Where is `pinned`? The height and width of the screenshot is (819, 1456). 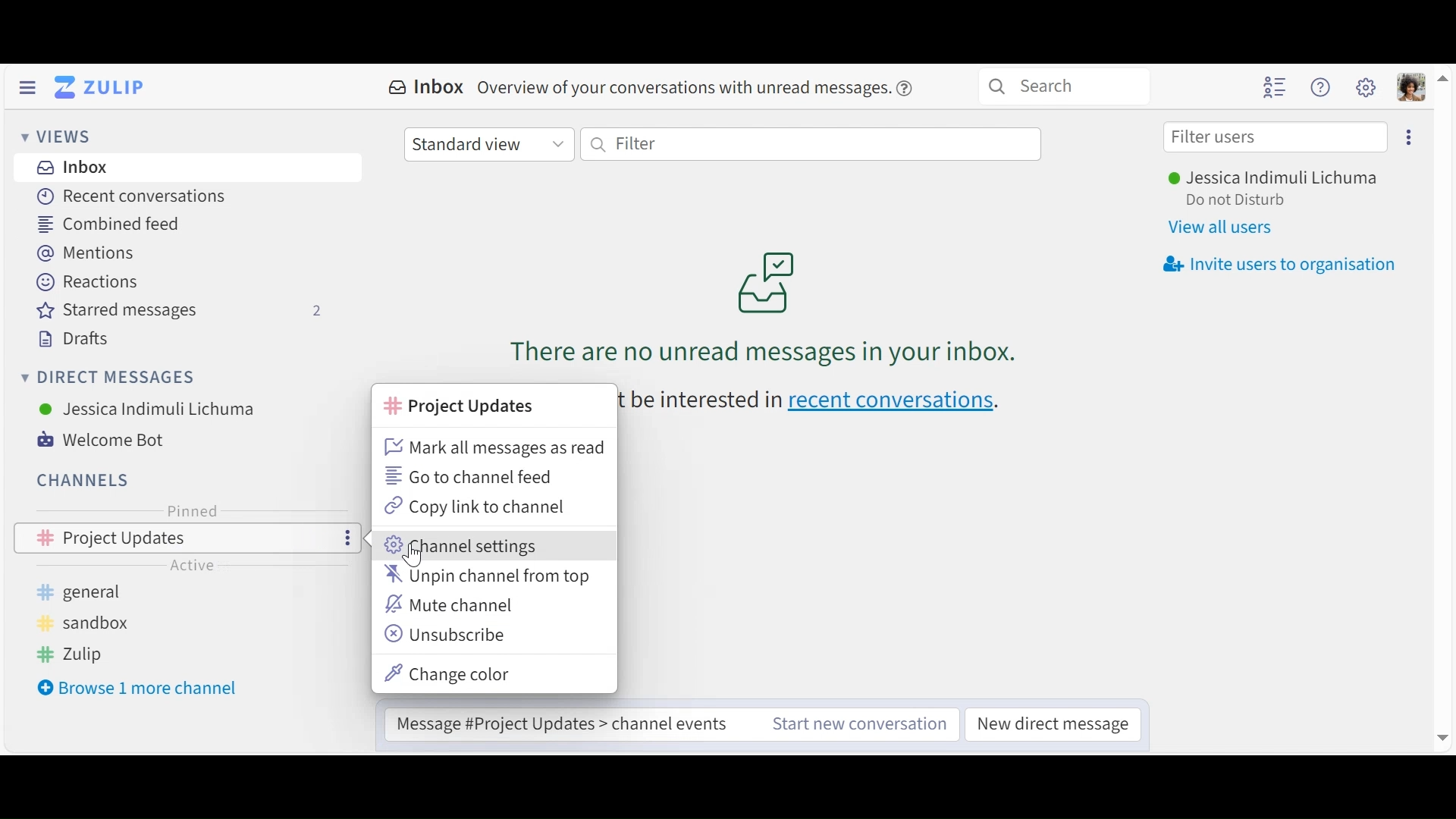
pinned is located at coordinates (193, 510).